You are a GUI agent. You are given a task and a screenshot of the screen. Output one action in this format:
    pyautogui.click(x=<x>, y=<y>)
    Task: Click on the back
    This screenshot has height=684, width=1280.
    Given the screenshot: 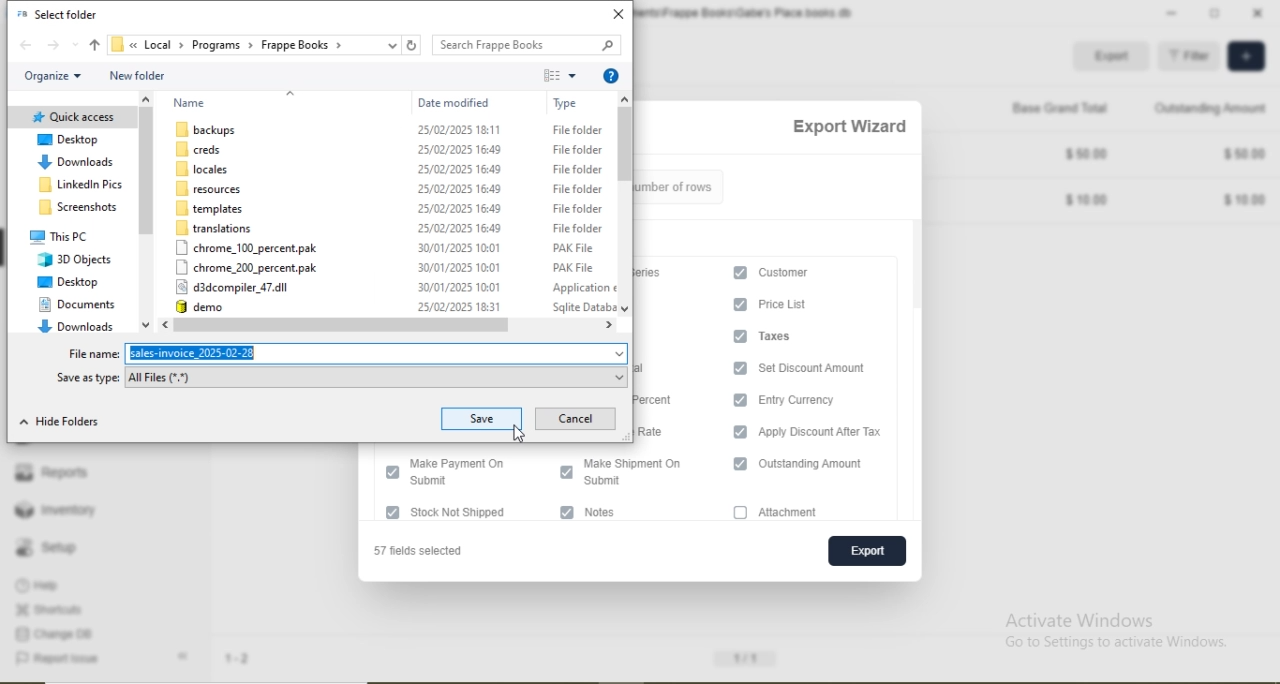 What is the action you would take?
    pyautogui.click(x=30, y=47)
    